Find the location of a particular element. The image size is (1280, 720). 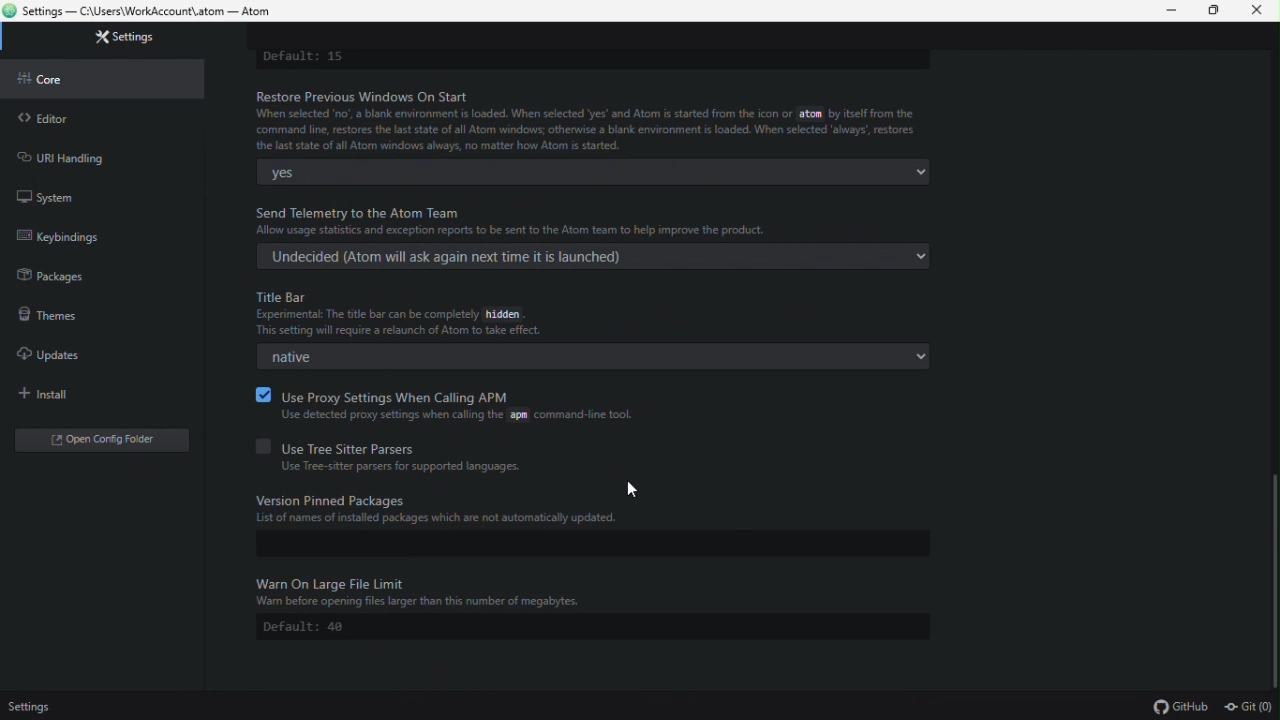

editor is located at coordinates (43, 118).